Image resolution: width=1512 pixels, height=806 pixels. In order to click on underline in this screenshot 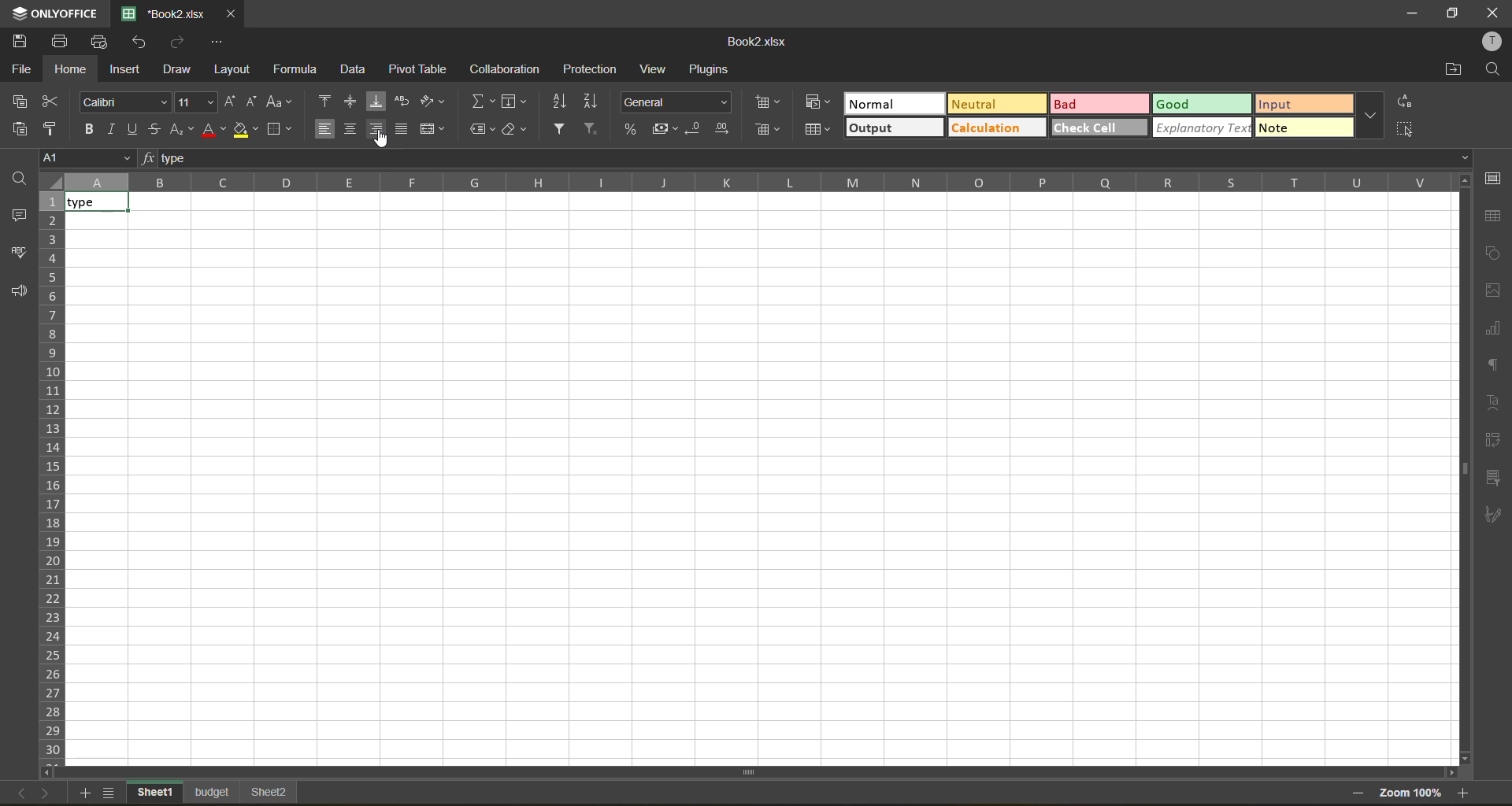, I will do `click(135, 128)`.